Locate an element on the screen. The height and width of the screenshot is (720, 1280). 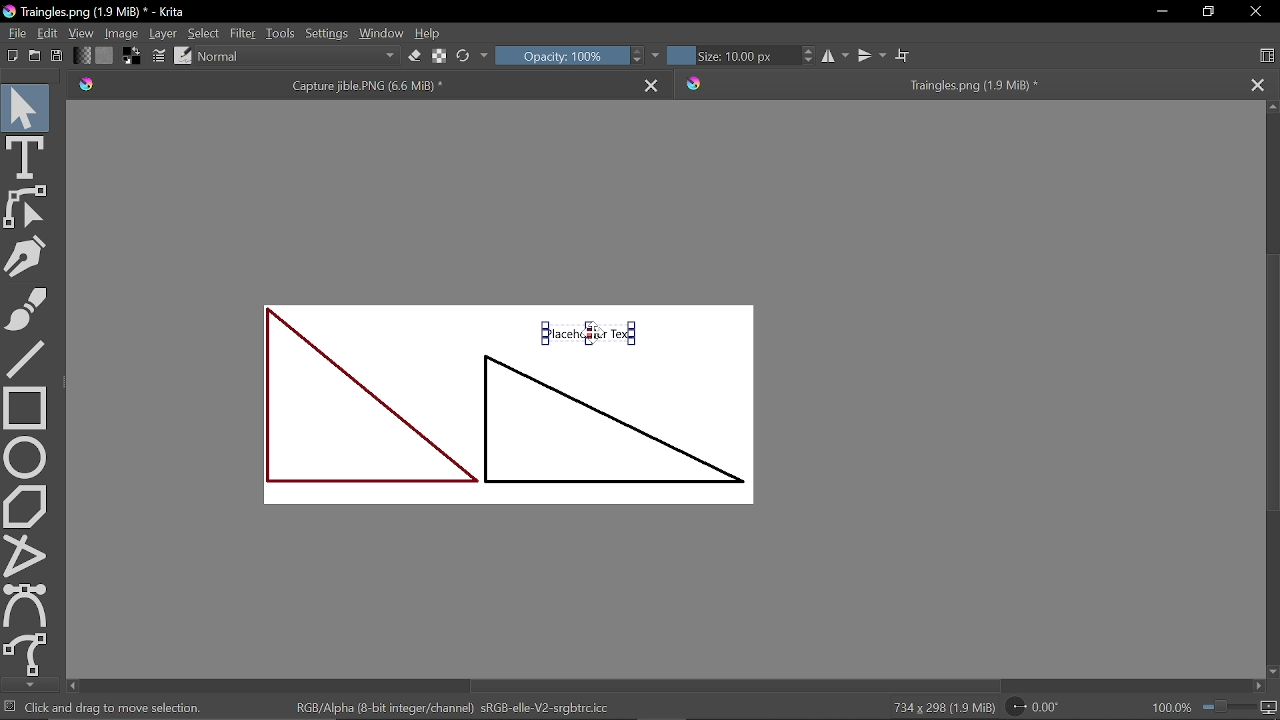
Fill pattern is located at coordinates (105, 55).